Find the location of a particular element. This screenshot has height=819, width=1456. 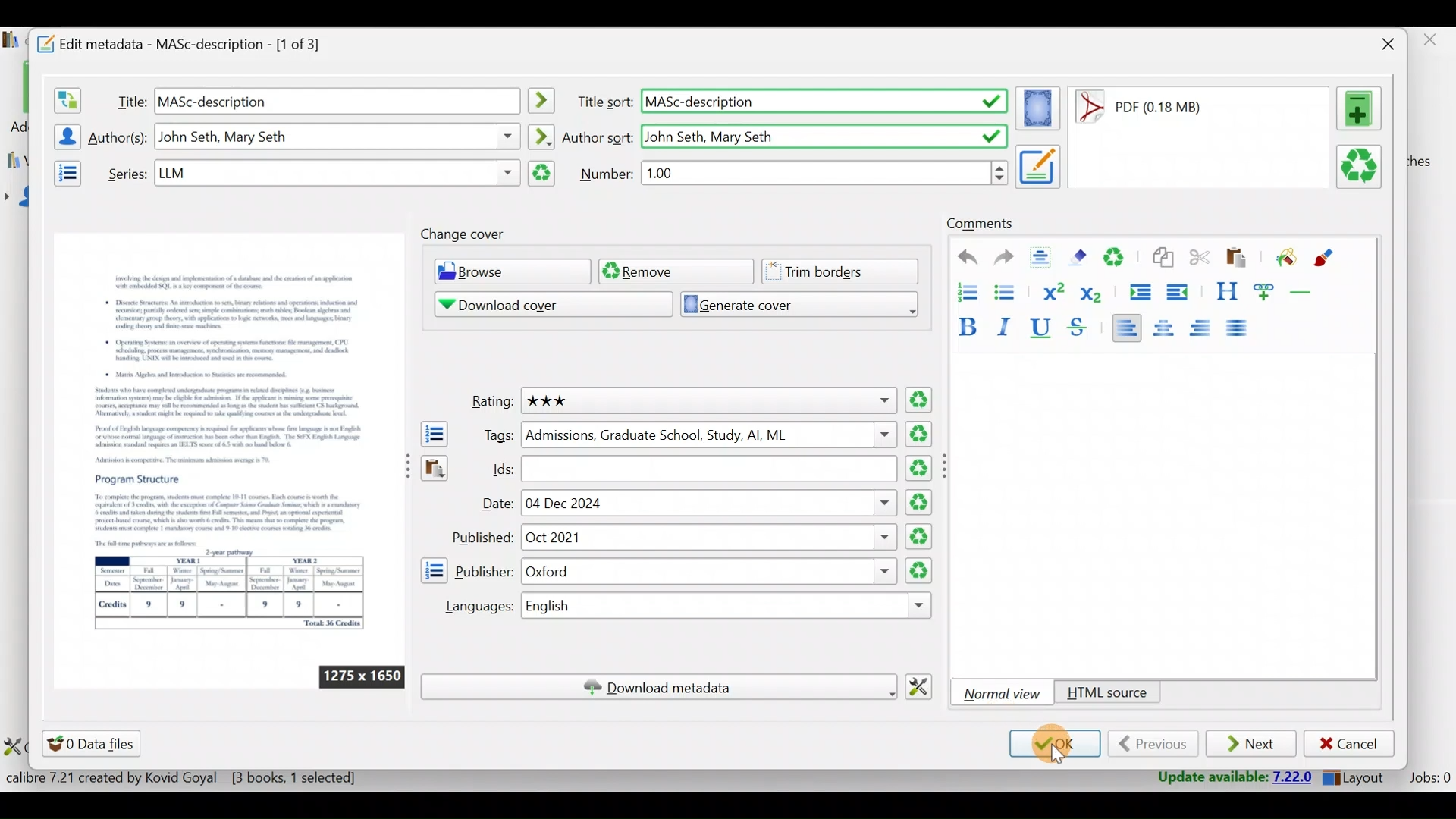

Browse is located at coordinates (508, 273).